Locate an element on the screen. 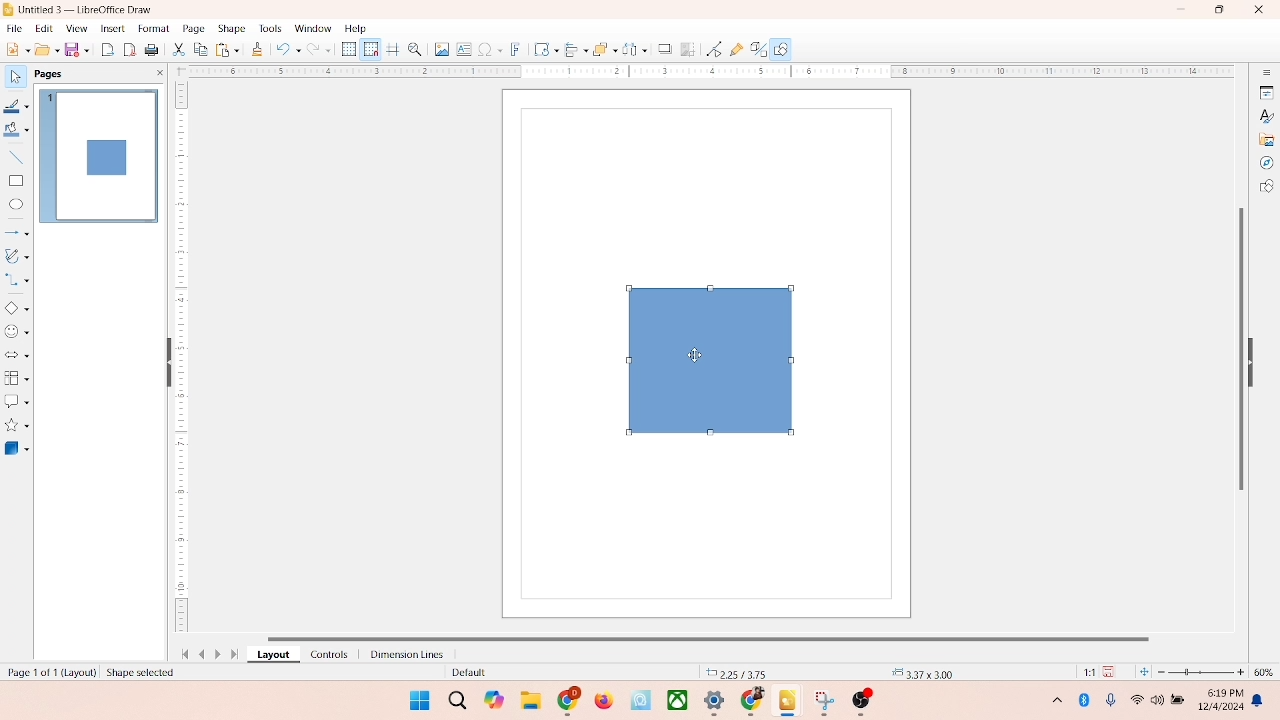  shapes is located at coordinates (1266, 188).